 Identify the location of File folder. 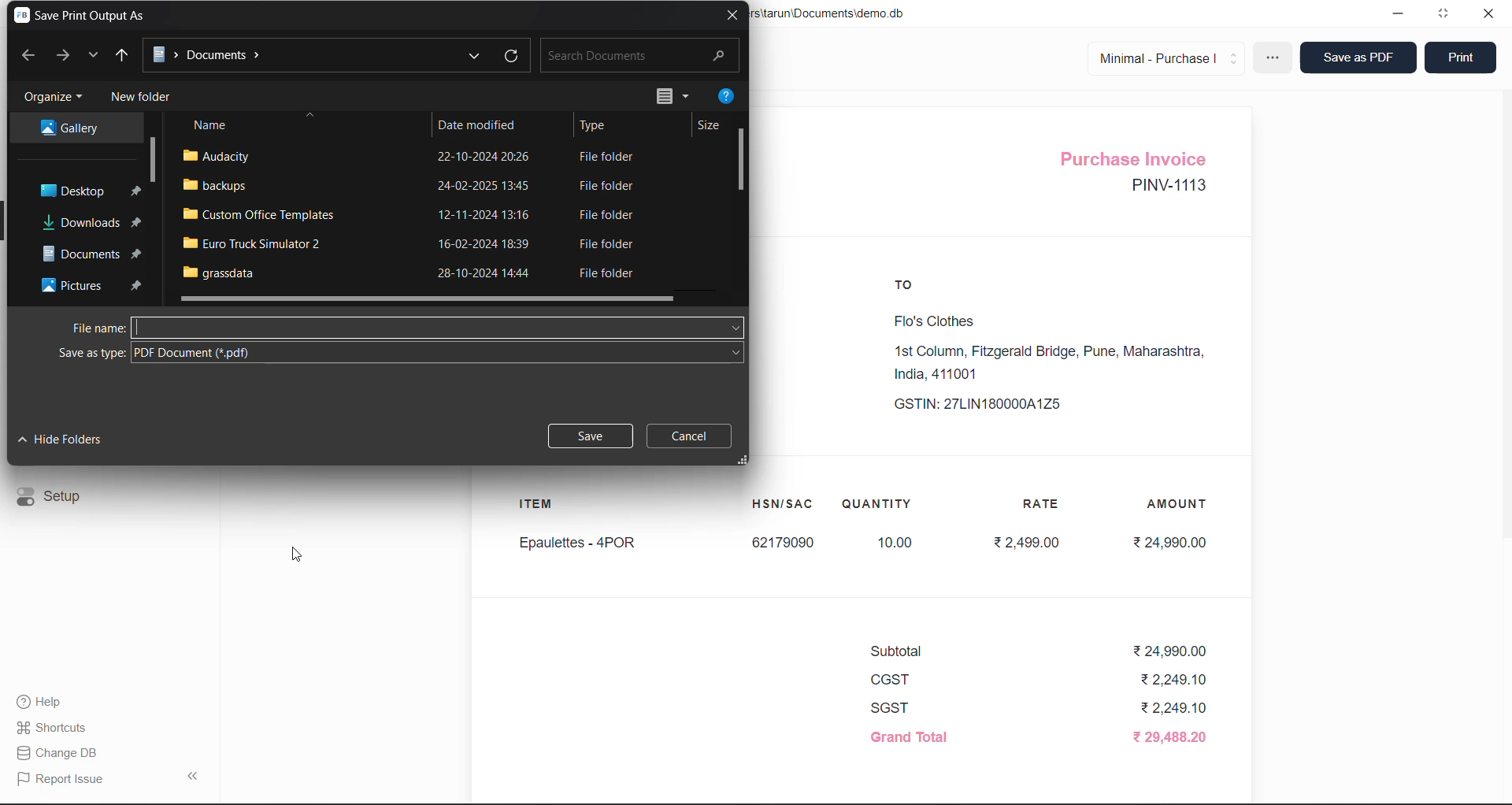
(612, 217).